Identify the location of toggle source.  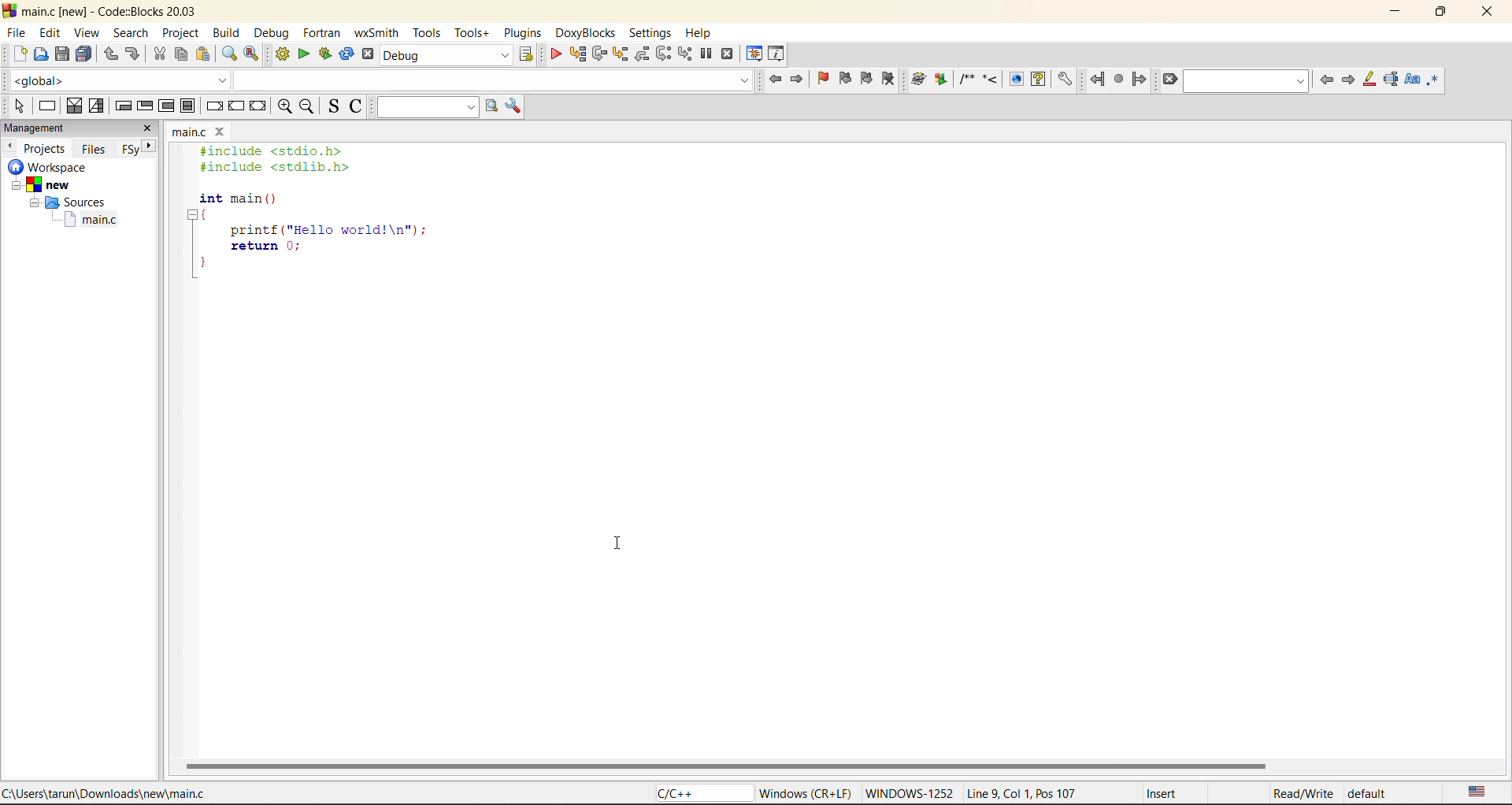
(335, 107).